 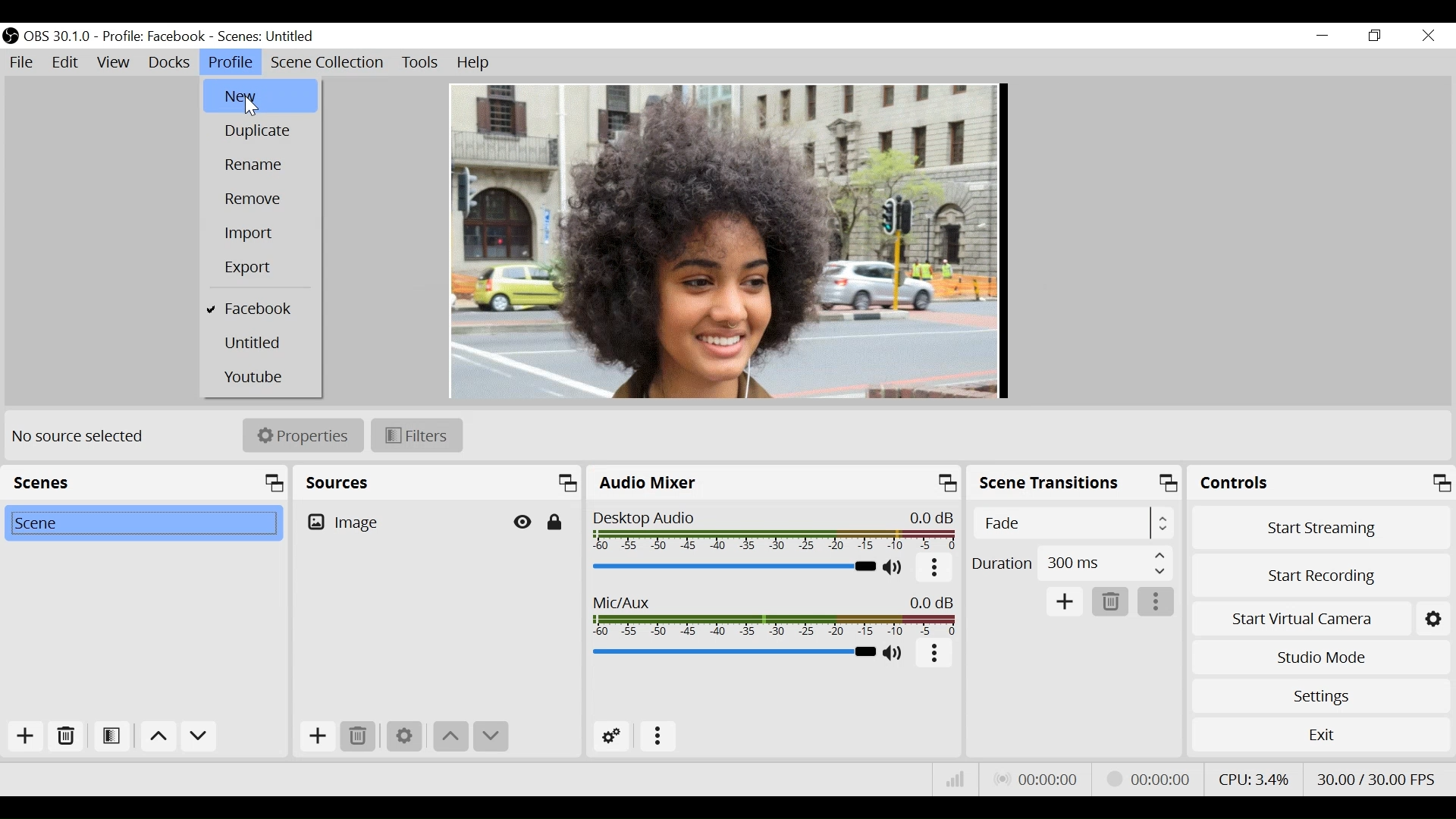 I want to click on No source selected, so click(x=83, y=437).